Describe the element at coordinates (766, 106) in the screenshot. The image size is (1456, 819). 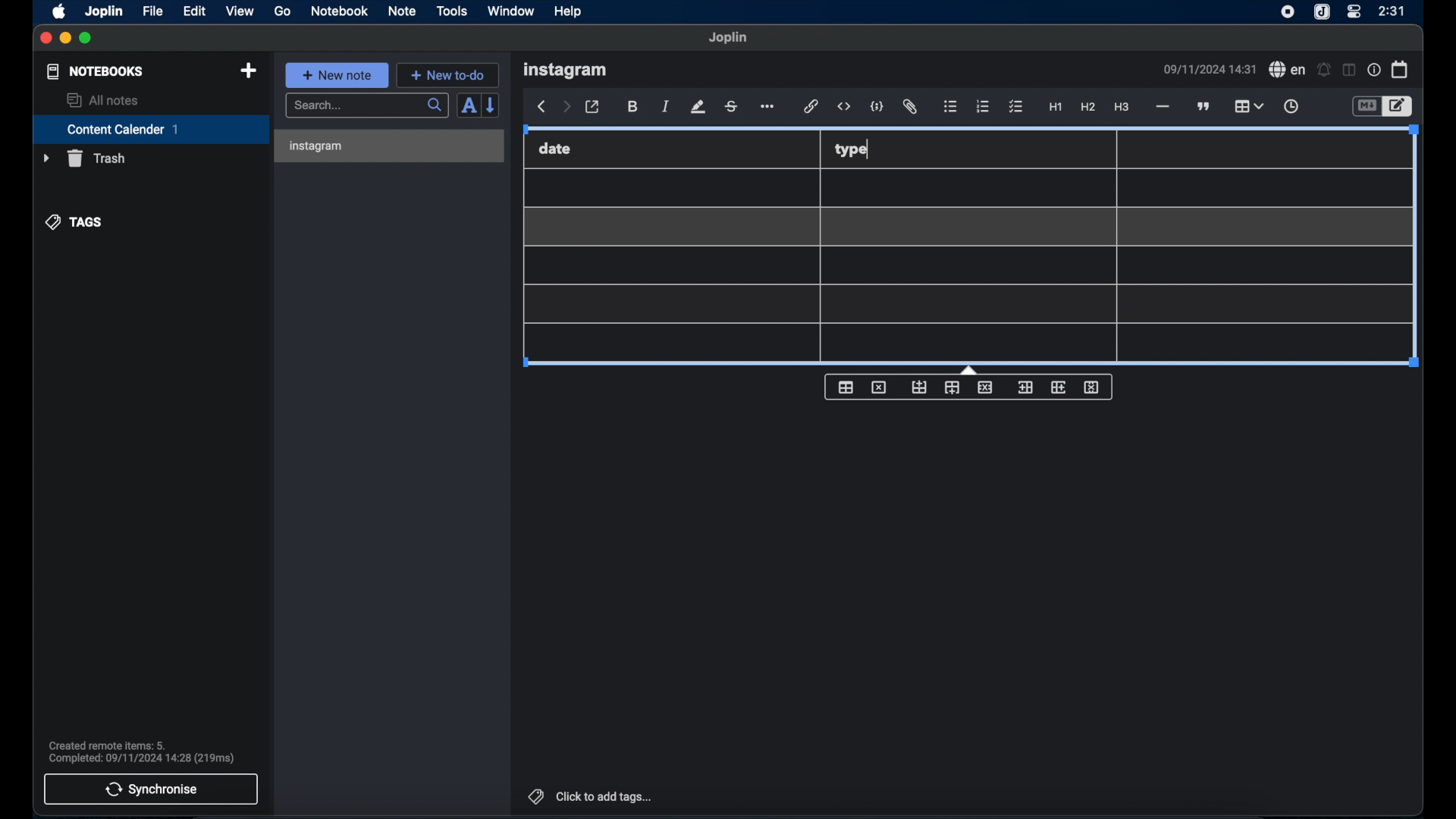
I see `more options` at that location.